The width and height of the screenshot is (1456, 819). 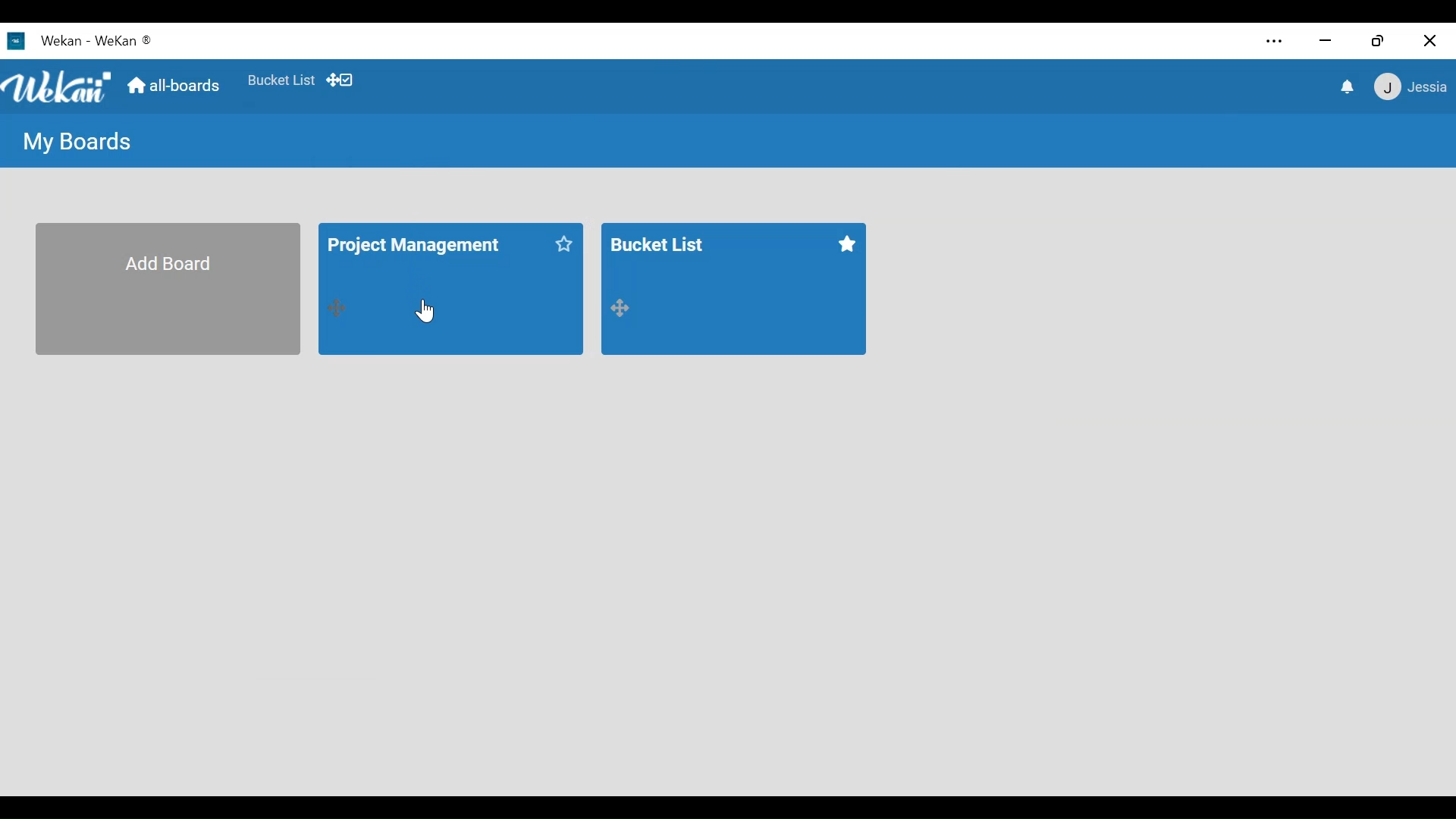 What do you see at coordinates (77, 39) in the screenshot?
I see `Wekan Desktop Icon` at bounding box center [77, 39].